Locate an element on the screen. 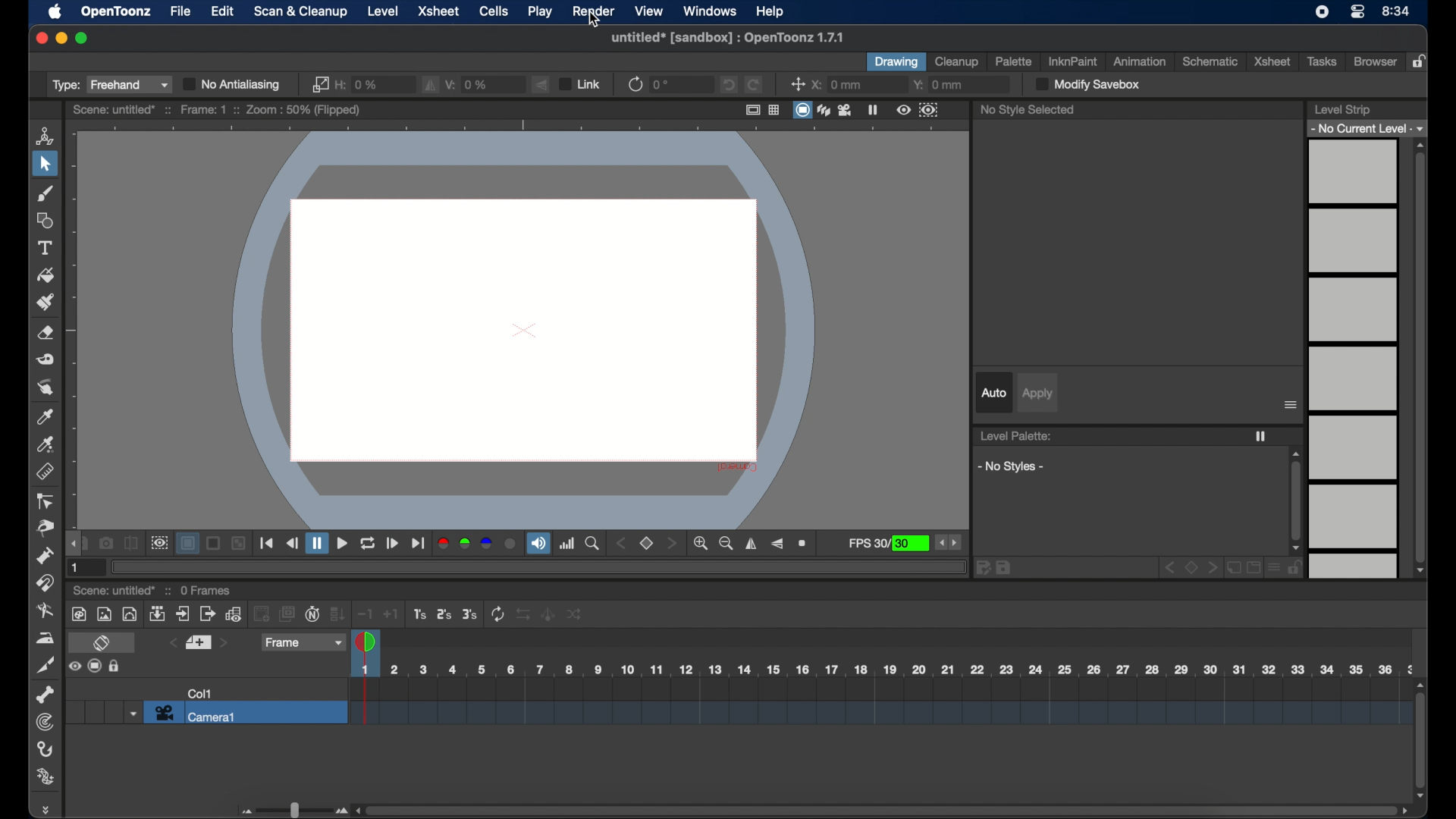 Image resolution: width=1456 pixels, height=819 pixels.  is located at coordinates (344, 545).